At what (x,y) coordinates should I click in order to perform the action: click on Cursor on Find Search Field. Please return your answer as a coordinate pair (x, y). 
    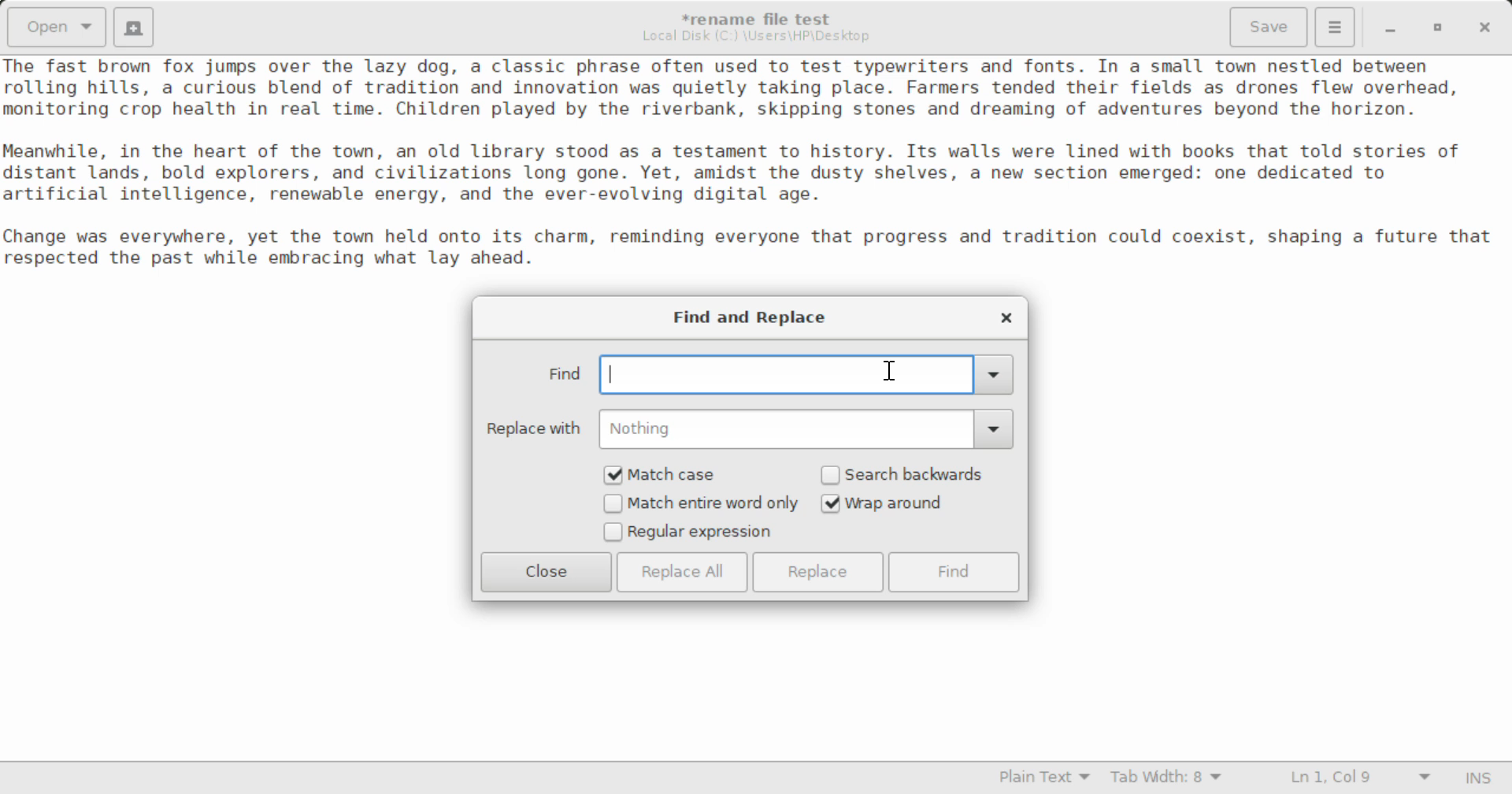
    Looking at the image, I should click on (776, 374).